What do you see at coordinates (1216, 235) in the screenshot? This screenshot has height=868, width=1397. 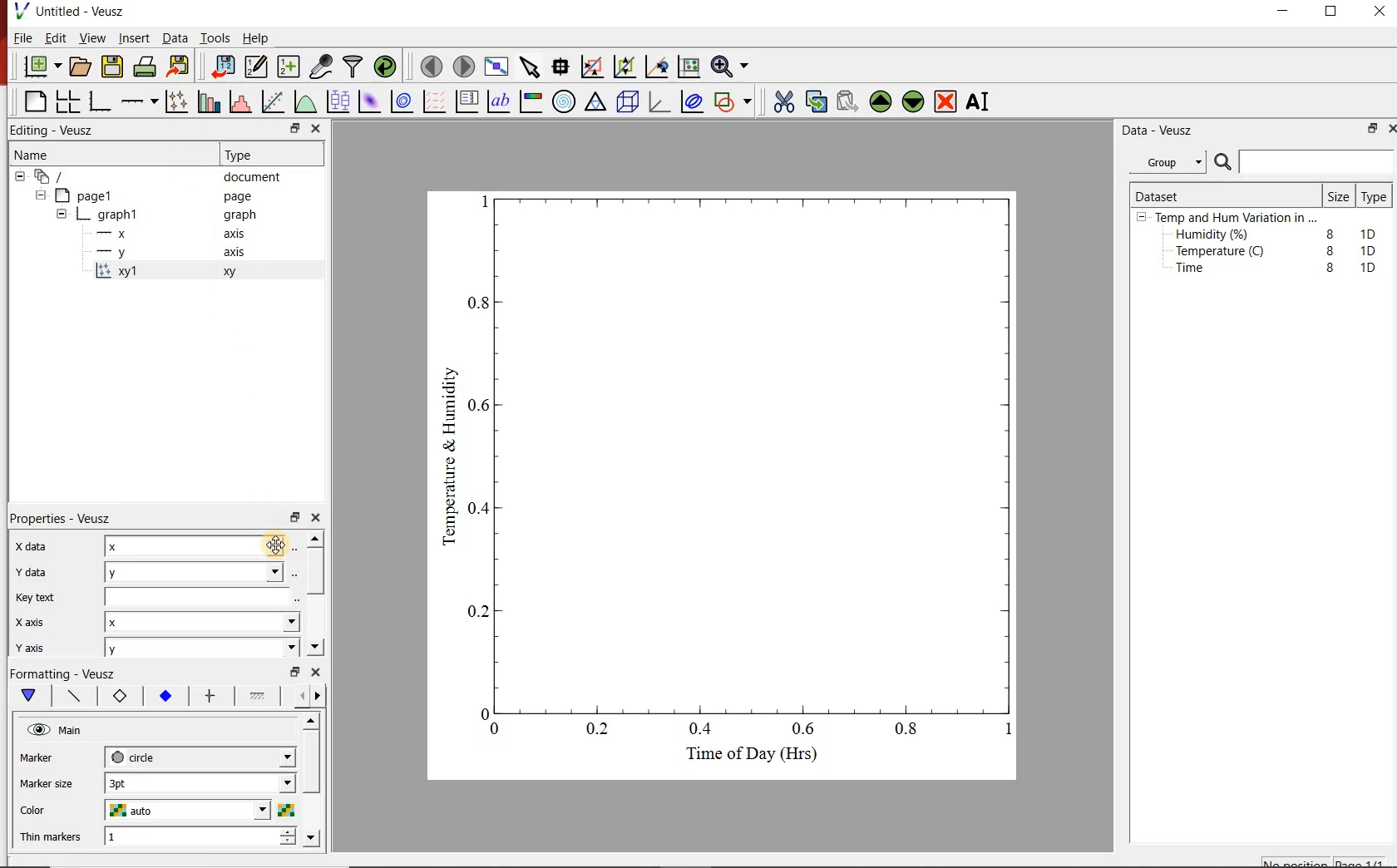 I see `Humidity (%)` at bounding box center [1216, 235].